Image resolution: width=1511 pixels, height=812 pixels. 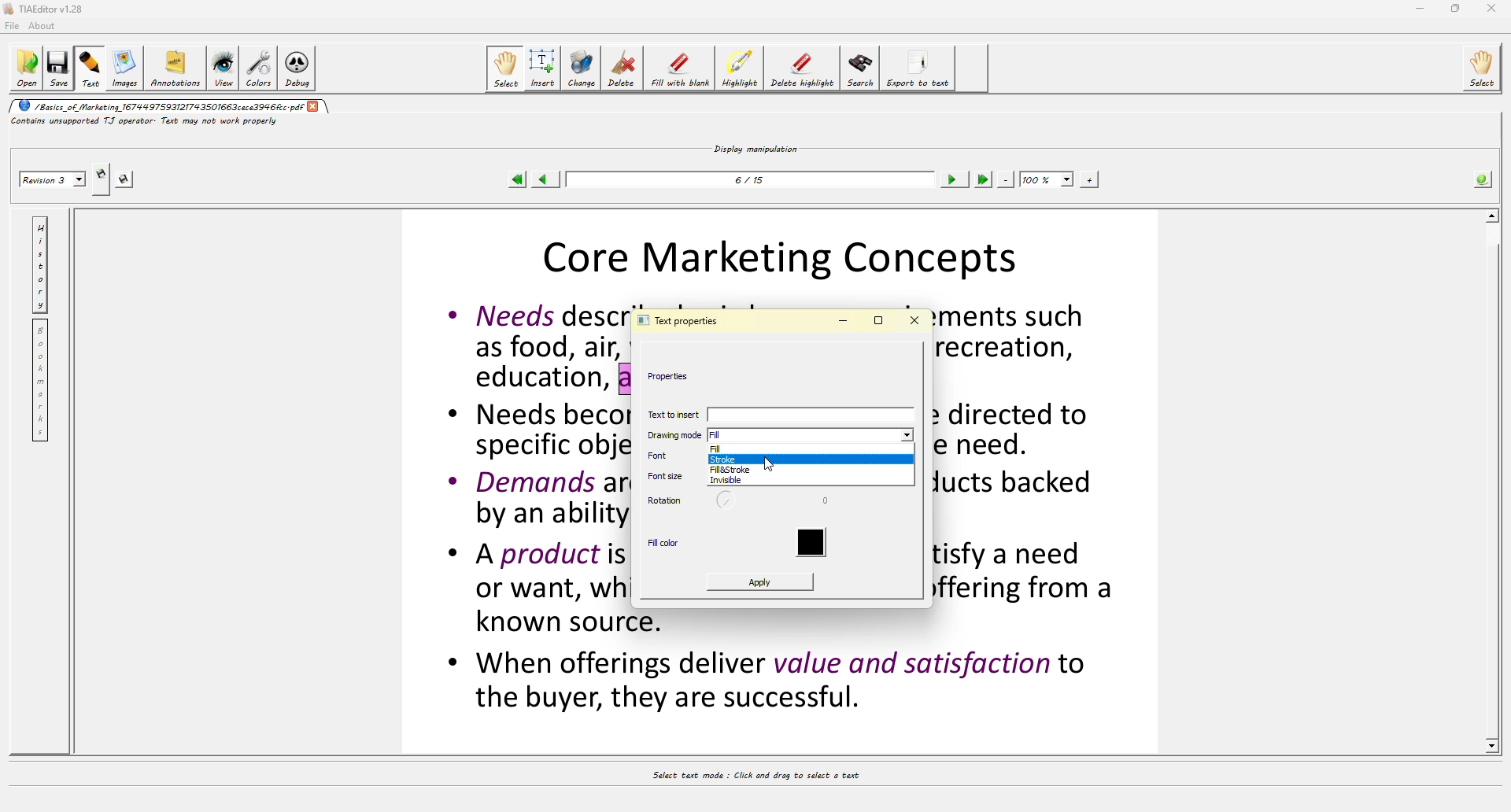 I want to click on info, so click(x=1483, y=180).